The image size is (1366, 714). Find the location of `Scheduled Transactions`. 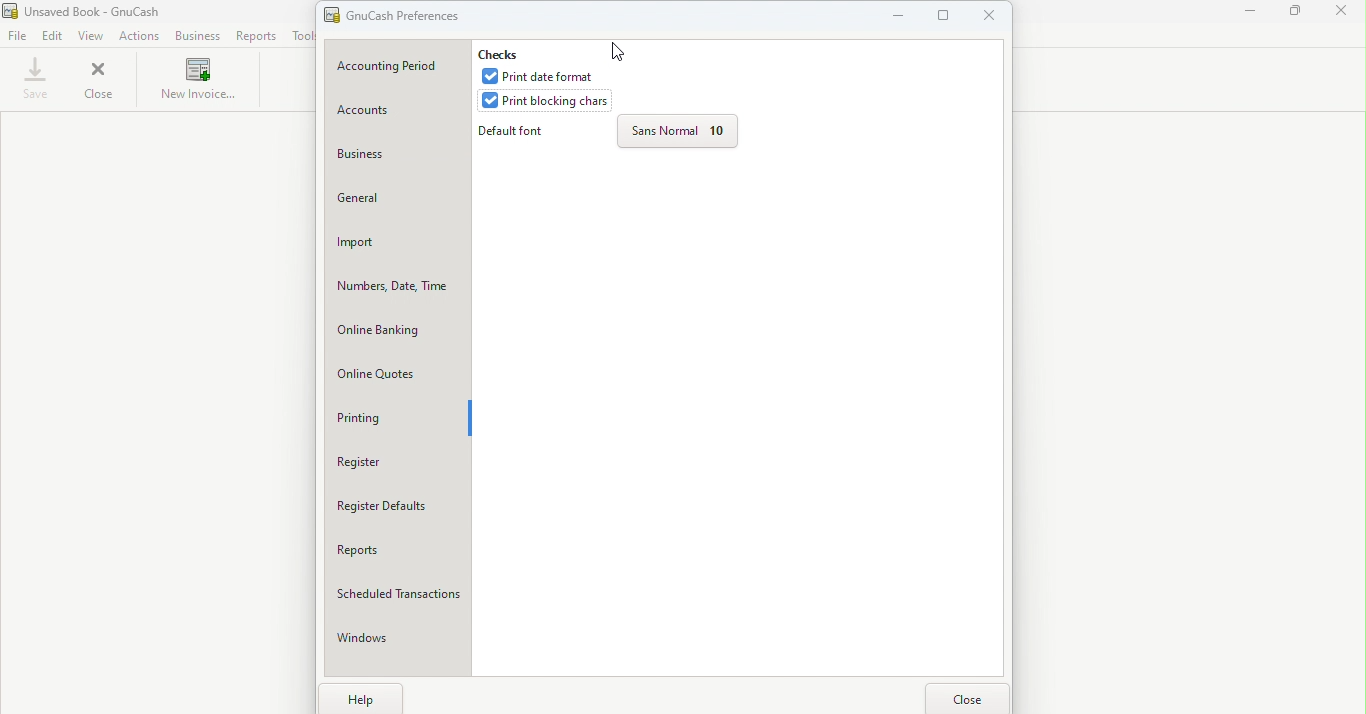

Scheduled Transactions is located at coordinates (398, 596).